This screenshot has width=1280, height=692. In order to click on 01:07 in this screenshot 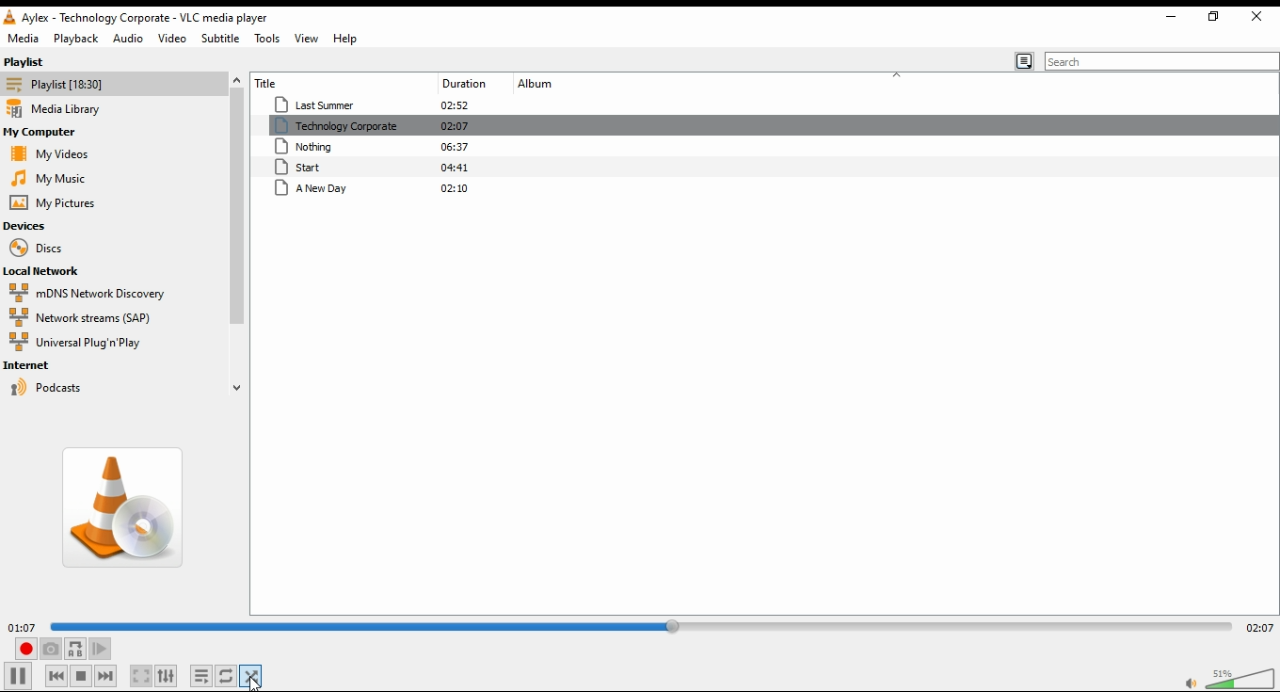, I will do `click(23, 625)`.